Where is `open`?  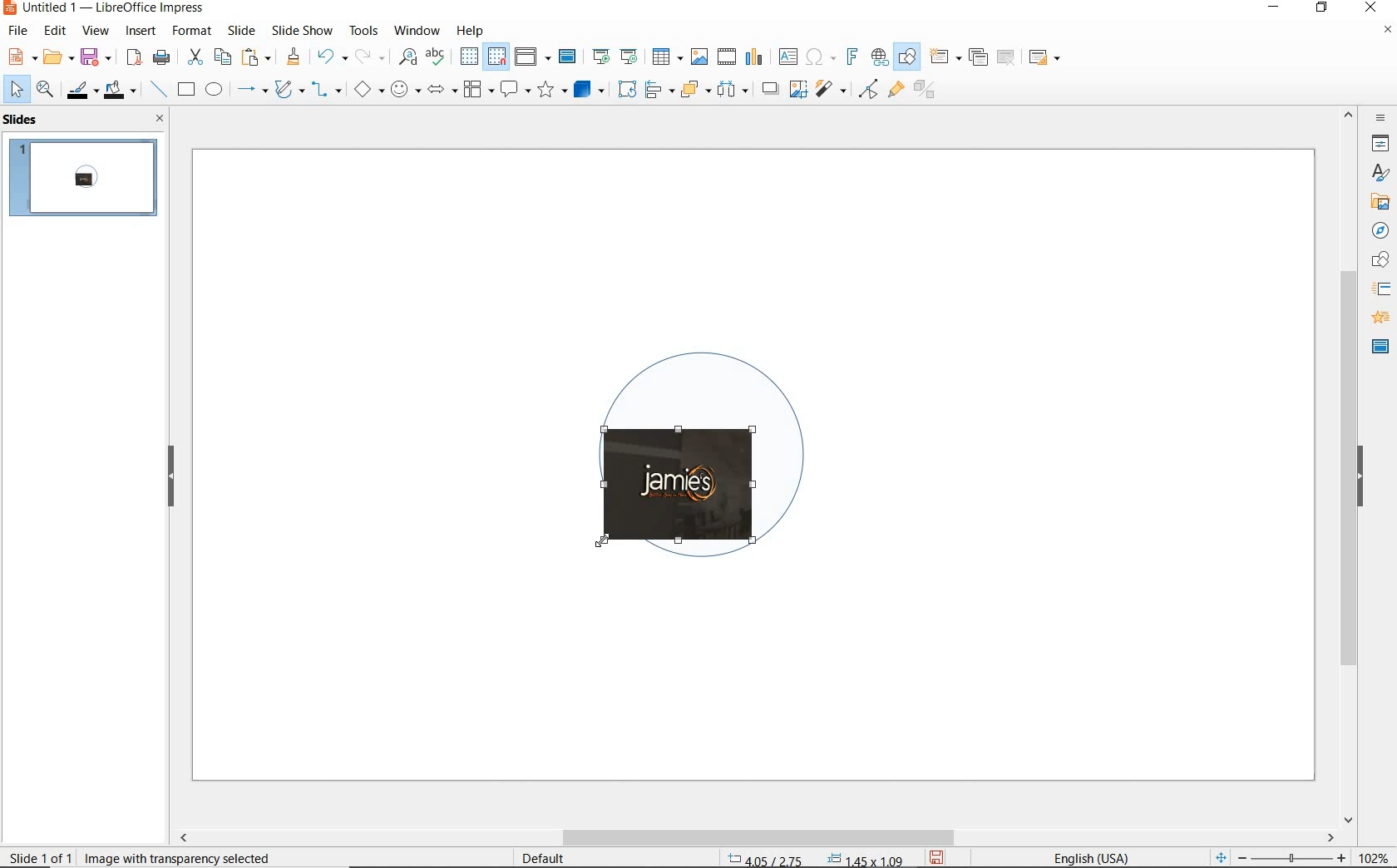
open is located at coordinates (56, 57).